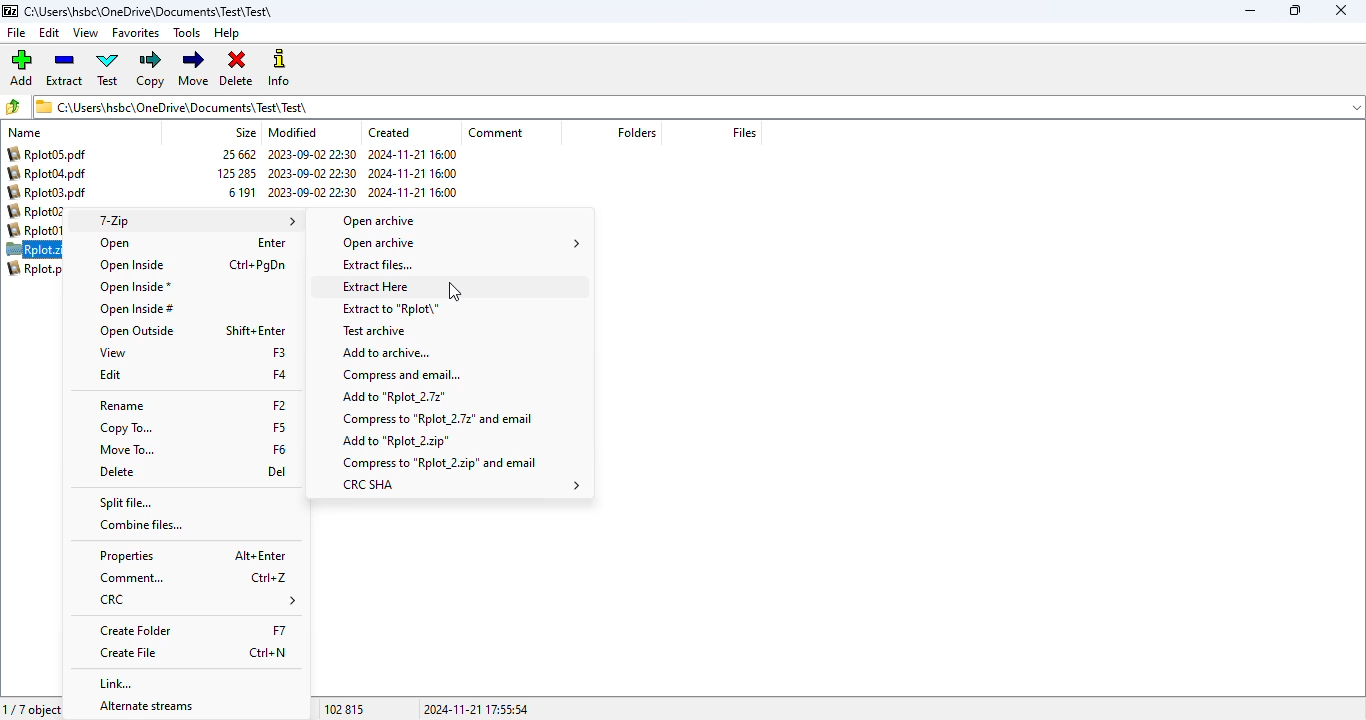 This screenshot has width=1366, height=720. I want to click on Rplot05.pdf, so click(47, 153).